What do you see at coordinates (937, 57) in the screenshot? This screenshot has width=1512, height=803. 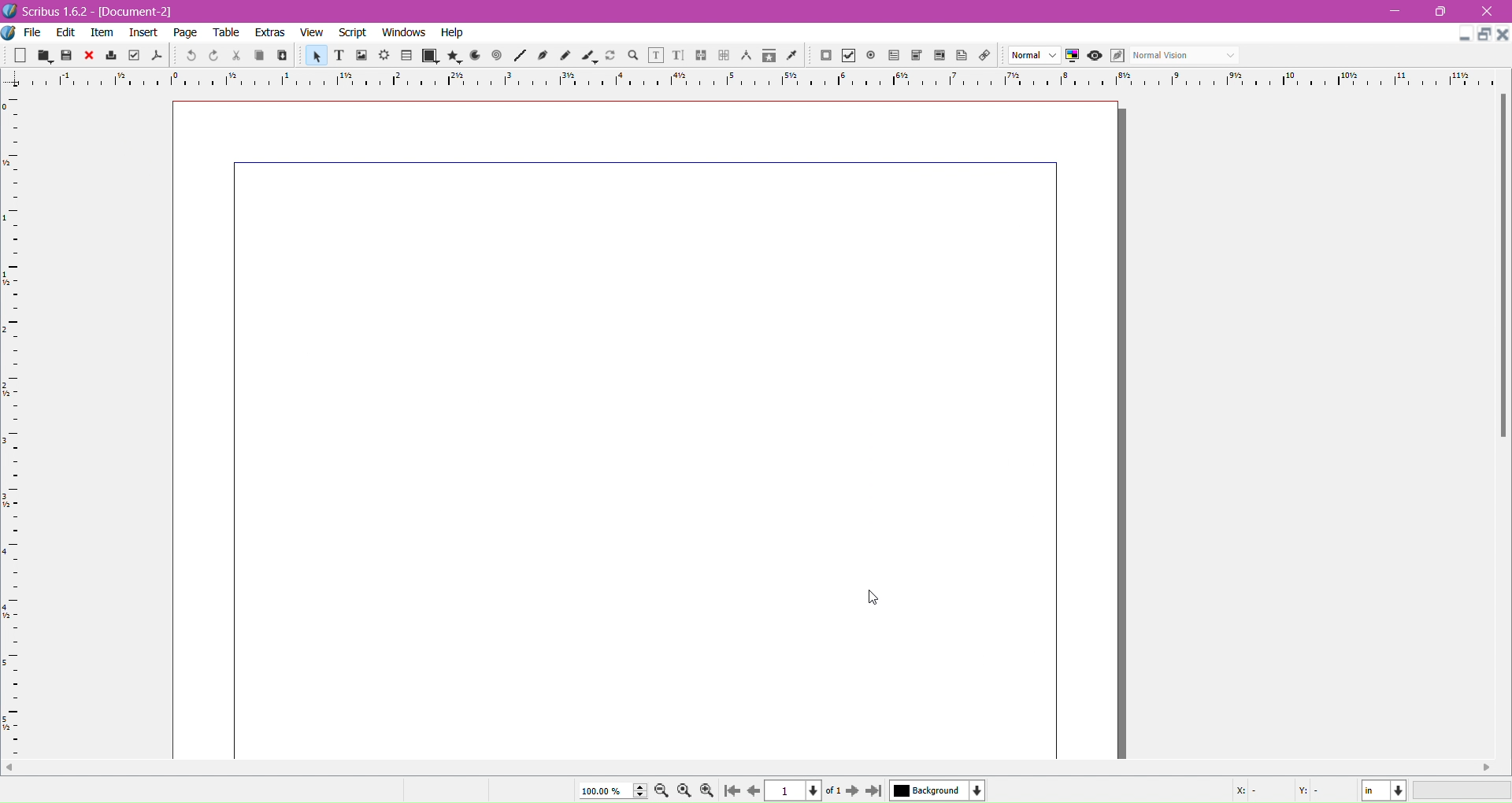 I see `icon` at bounding box center [937, 57].